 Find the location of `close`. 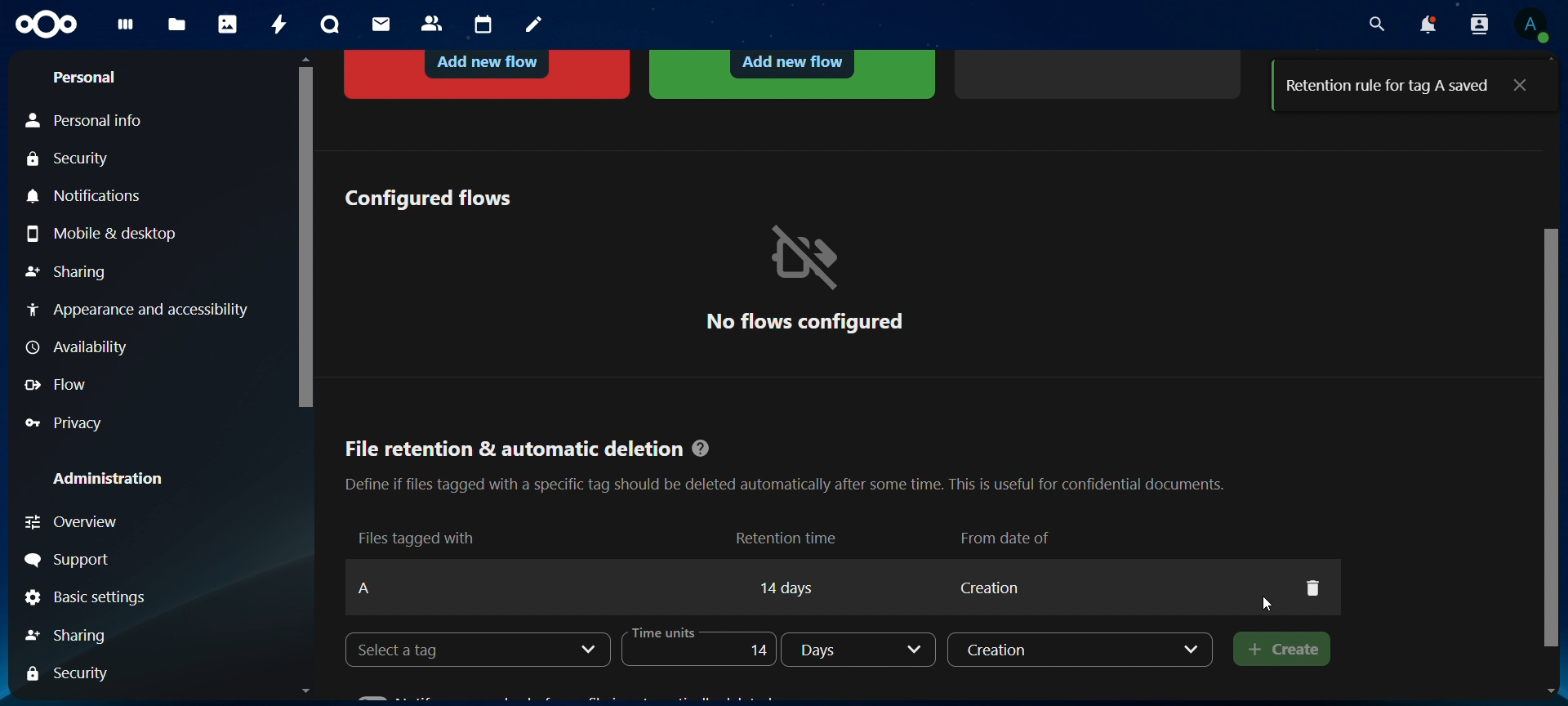

close is located at coordinates (1519, 83).